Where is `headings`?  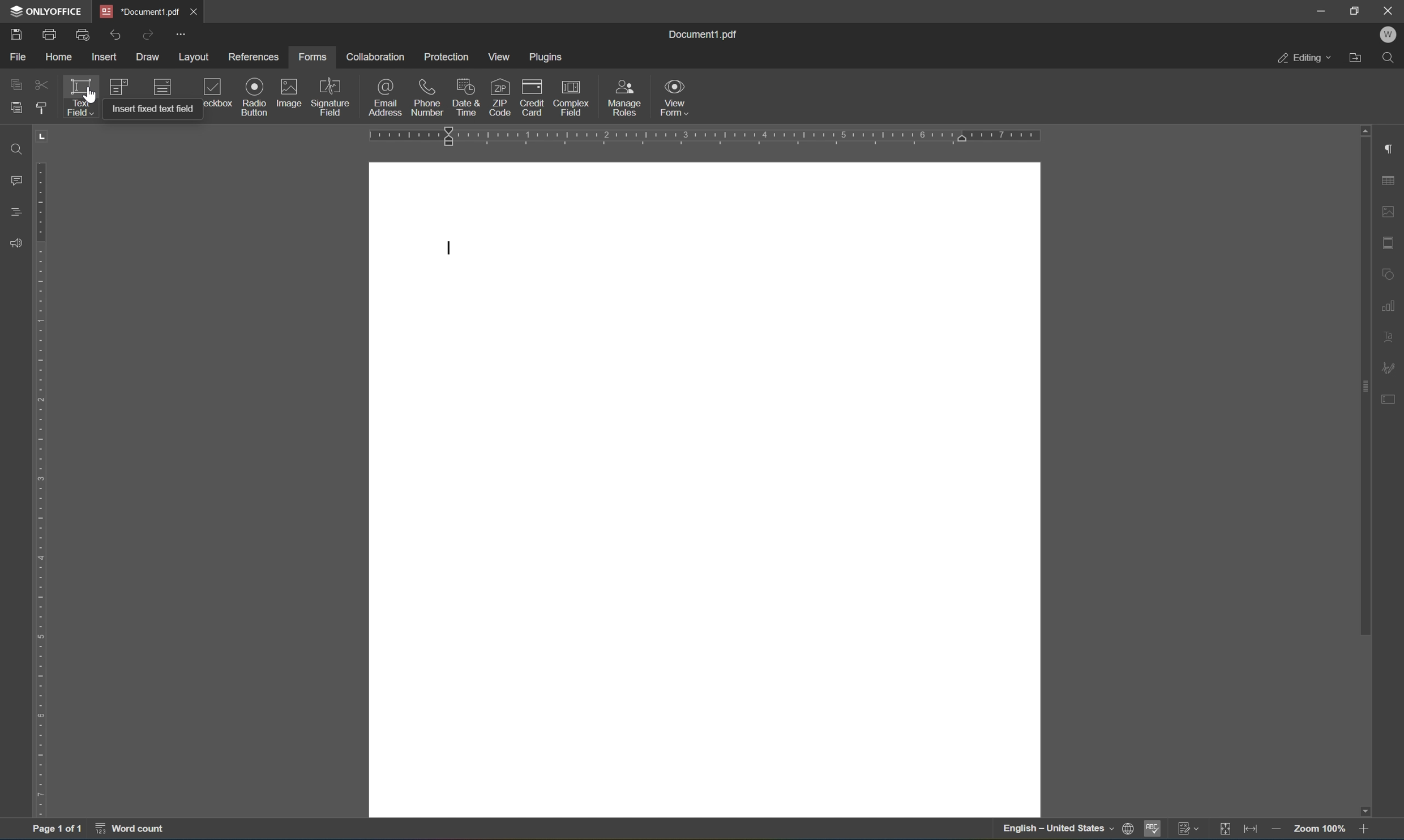
headings is located at coordinates (11, 211).